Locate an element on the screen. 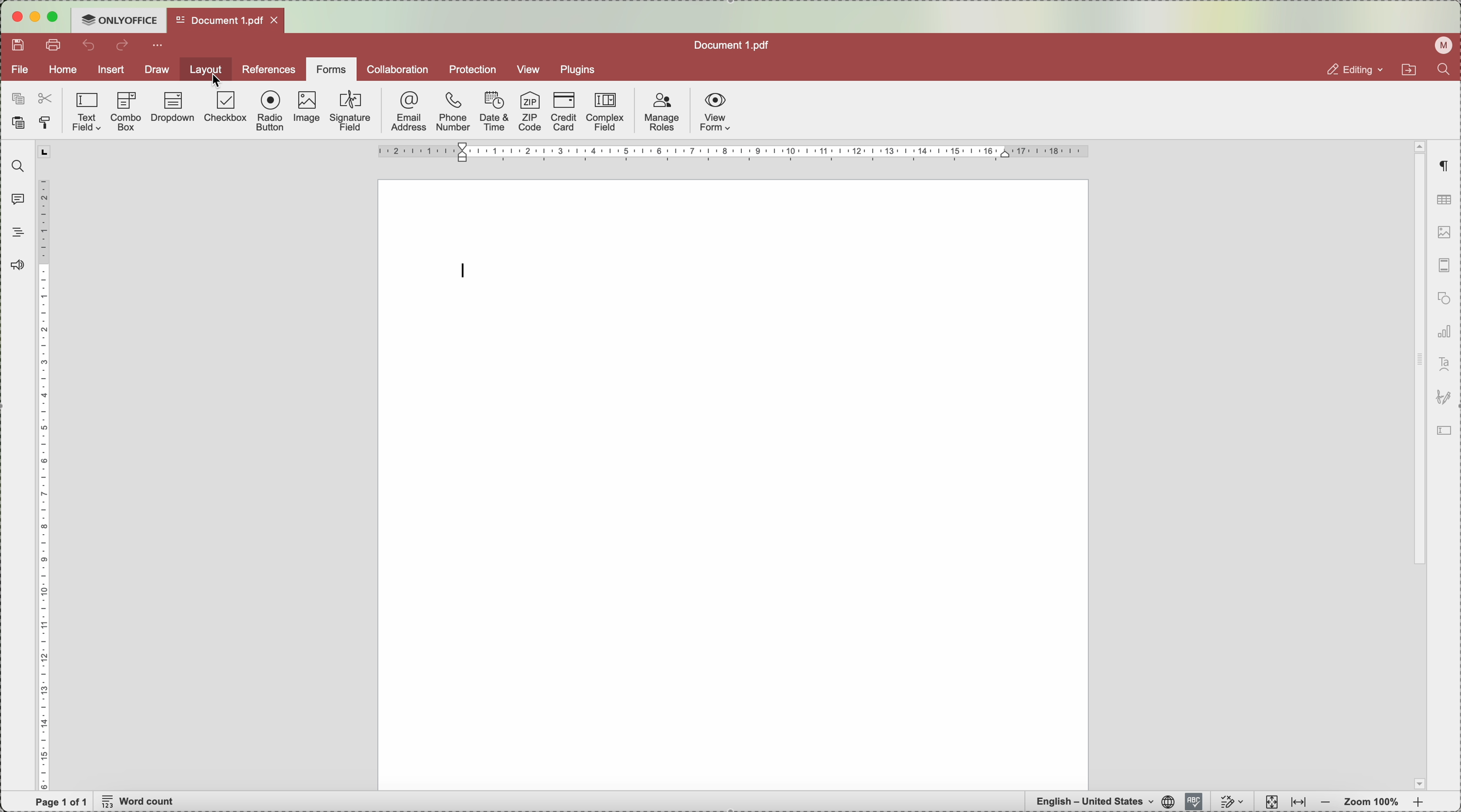 The image size is (1461, 812). checkbox is located at coordinates (225, 108).